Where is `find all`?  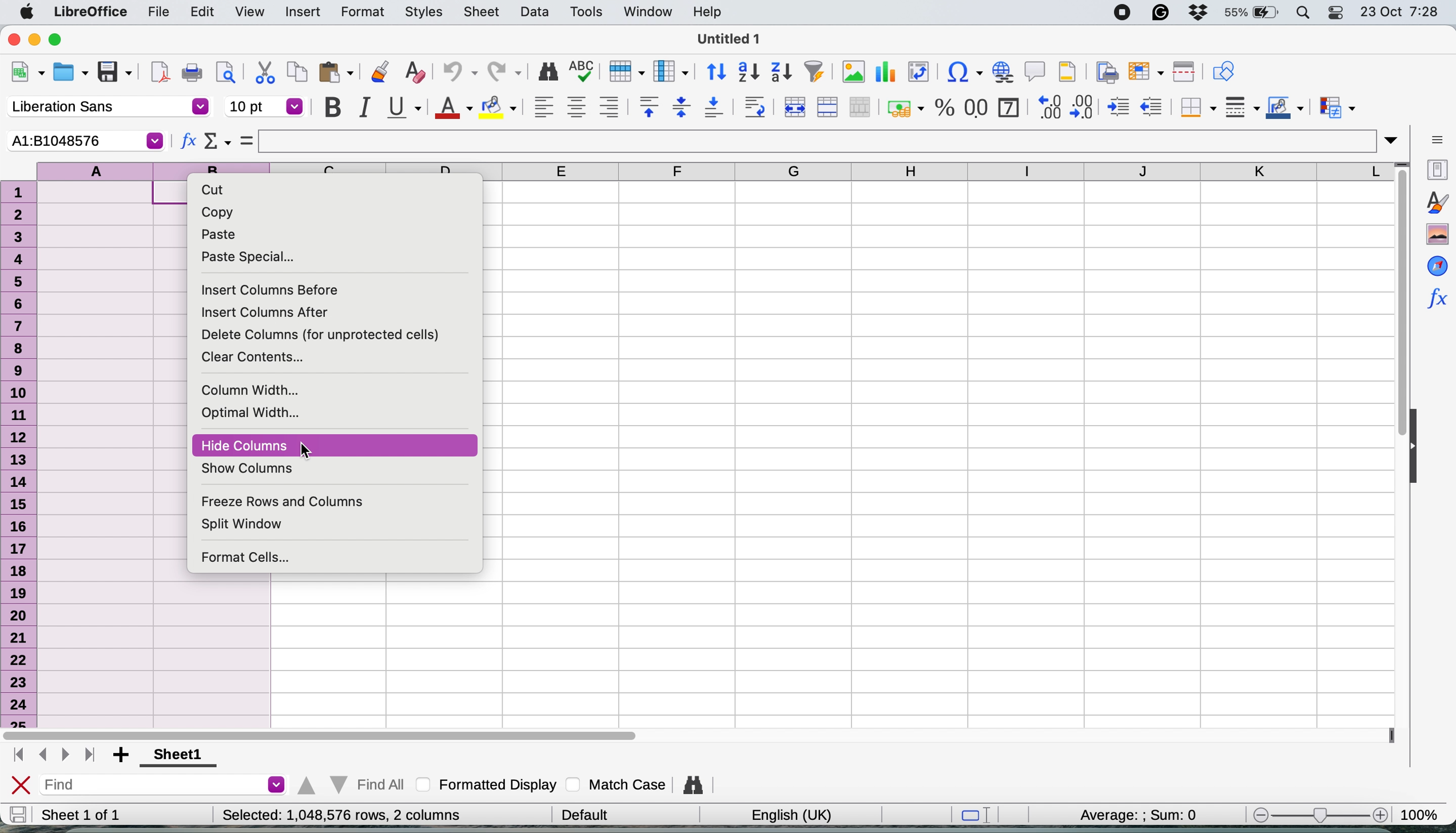 find all is located at coordinates (353, 786).